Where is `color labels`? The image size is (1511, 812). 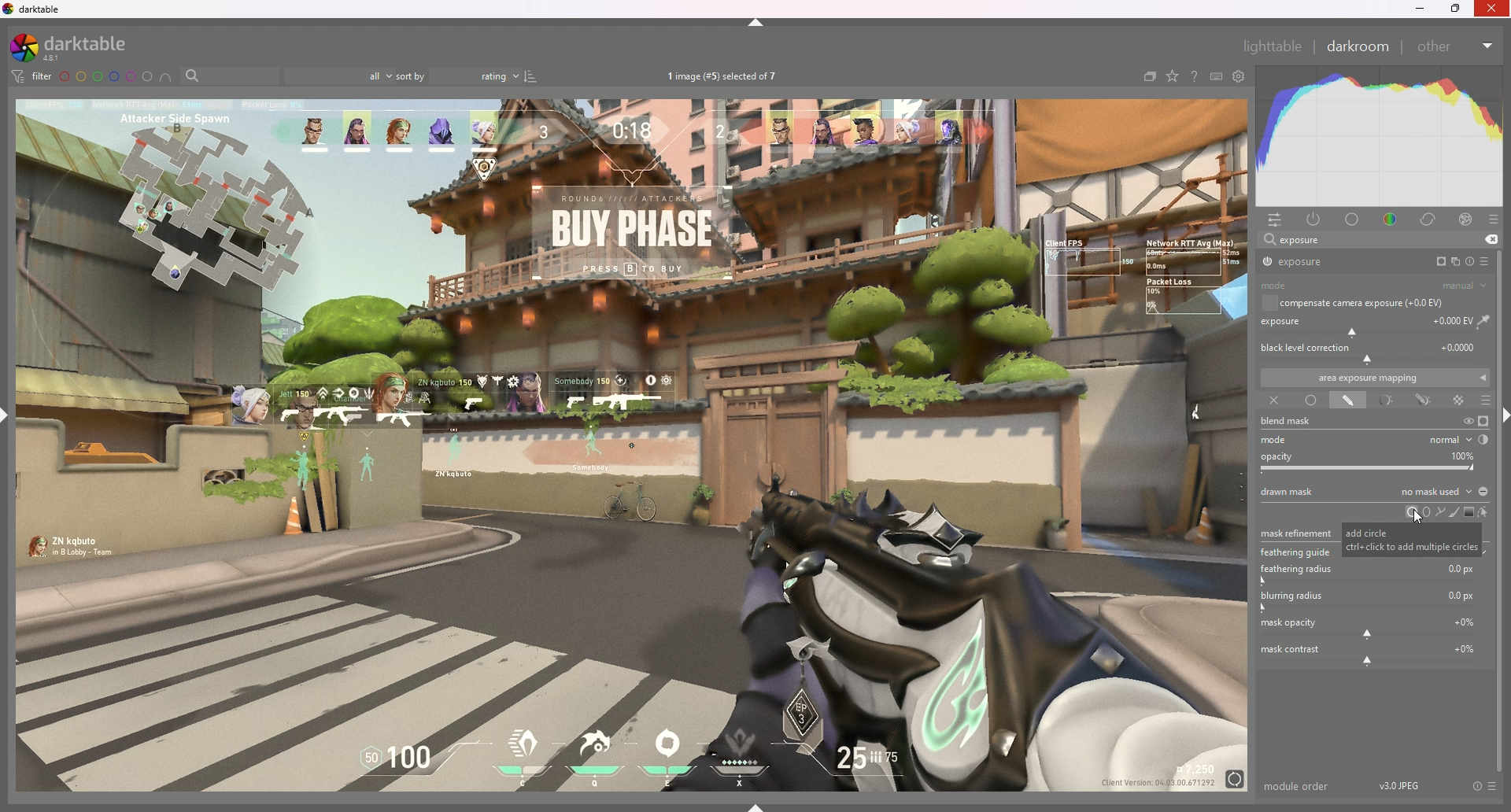
color labels is located at coordinates (106, 77).